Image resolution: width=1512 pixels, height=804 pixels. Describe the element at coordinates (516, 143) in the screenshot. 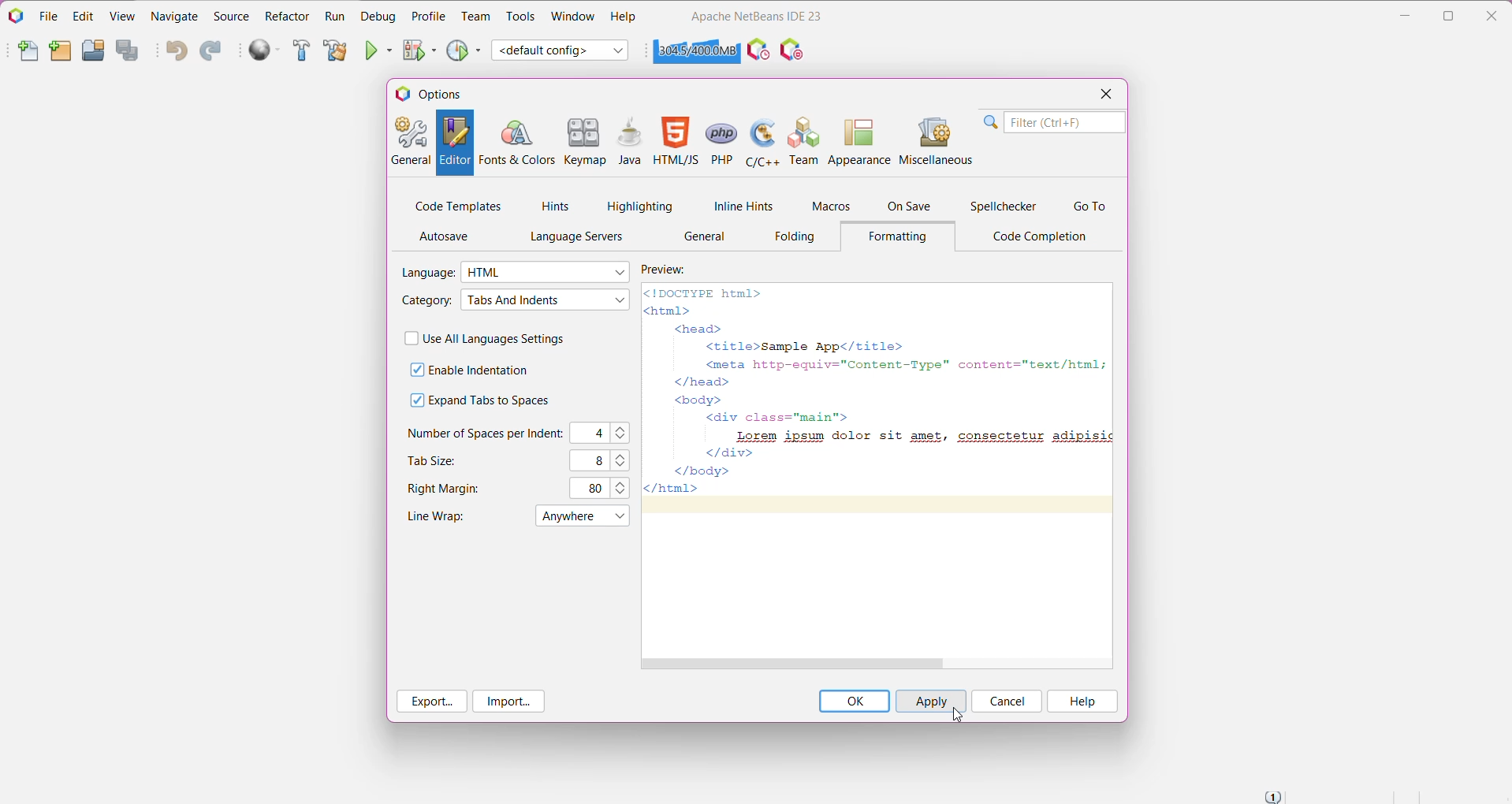

I see `Fonts and Colors` at that location.